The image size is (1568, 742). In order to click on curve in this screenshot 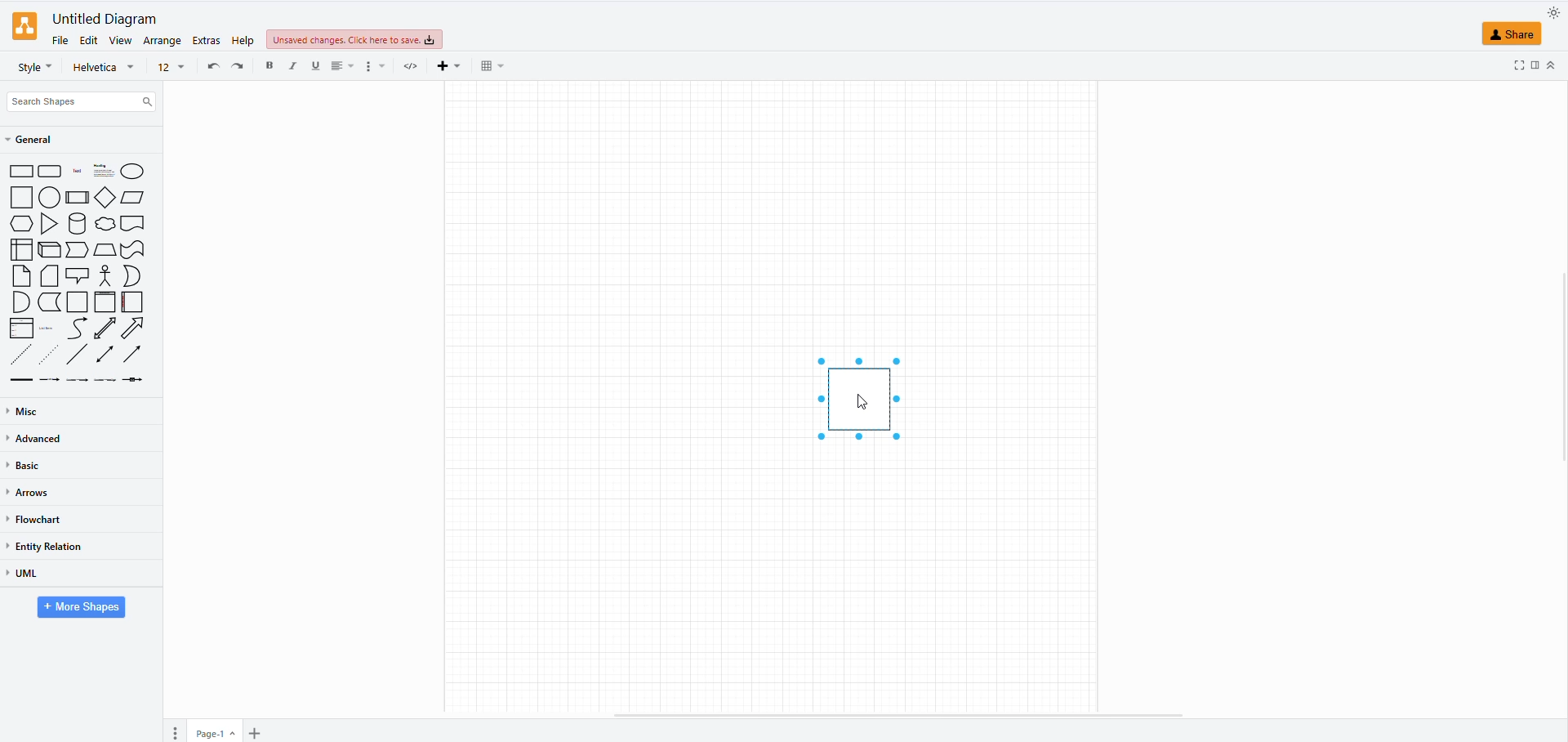, I will do `click(78, 328)`.